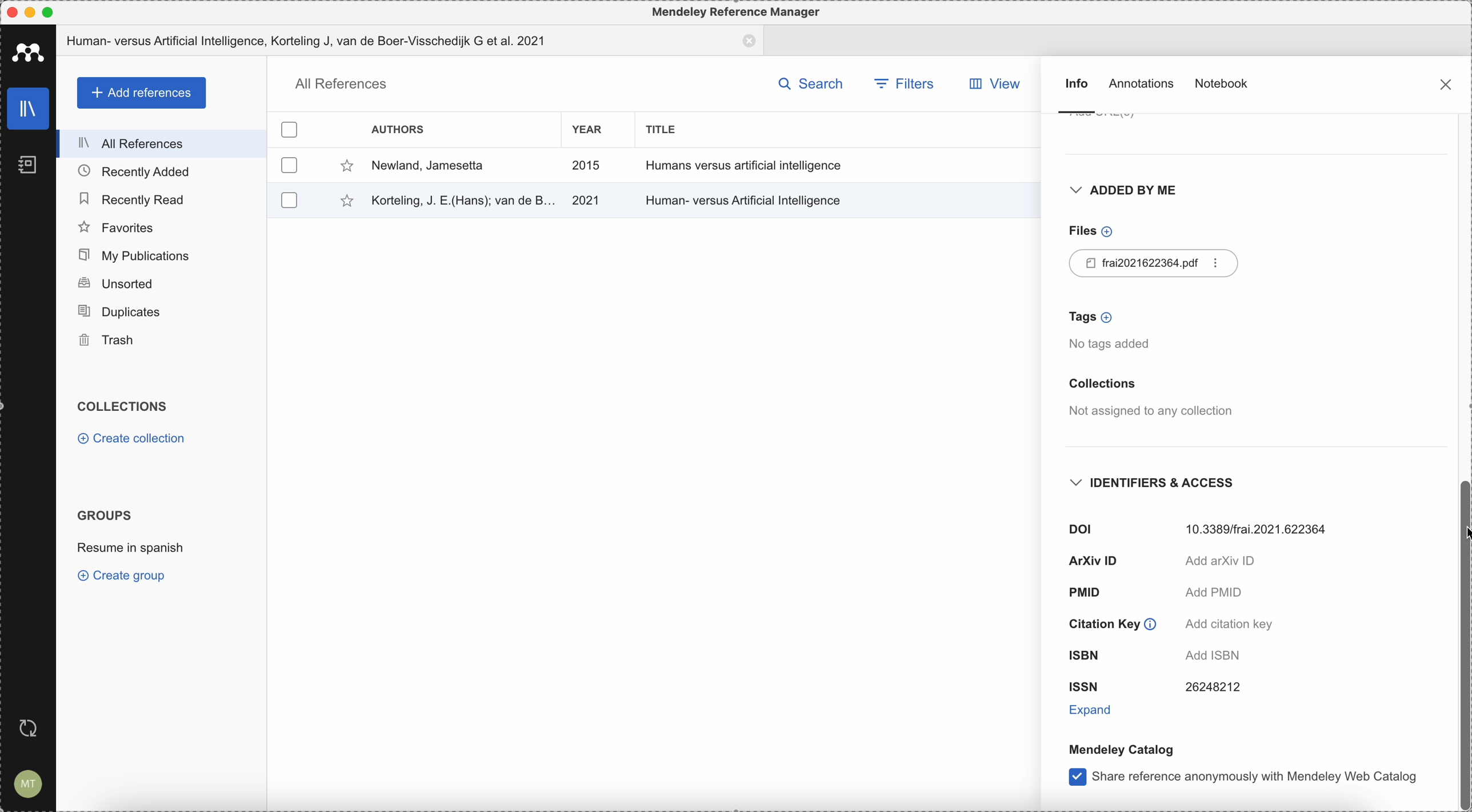 Image resolution: width=1472 pixels, height=812 pixels. Describe the element at coordinates (339, 84) in the screenshot. I see `all references` at that location.